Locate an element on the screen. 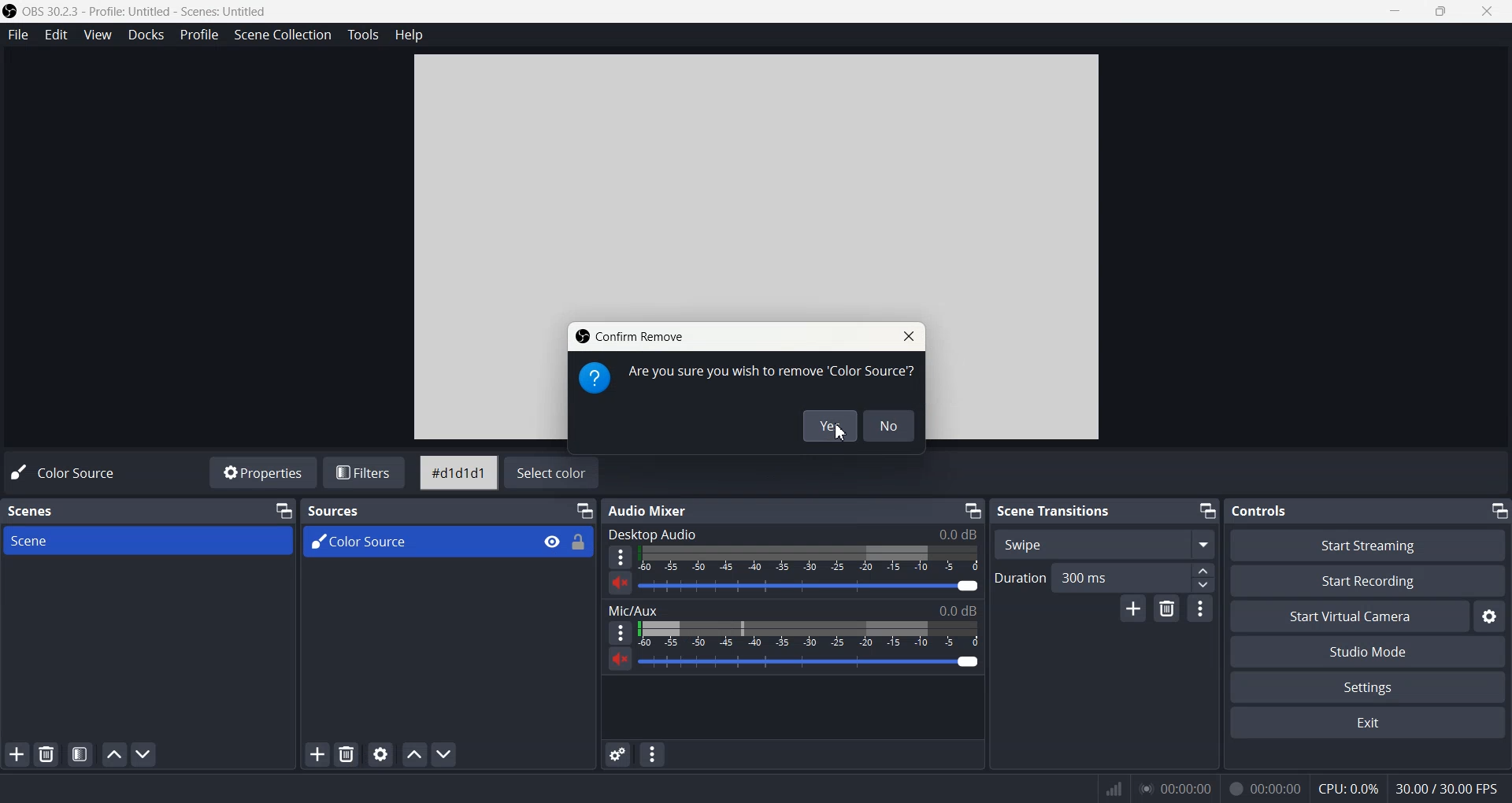 This screenshot has width=1512, height=803. Audio mixer menu is located at coordinates (652, 754).